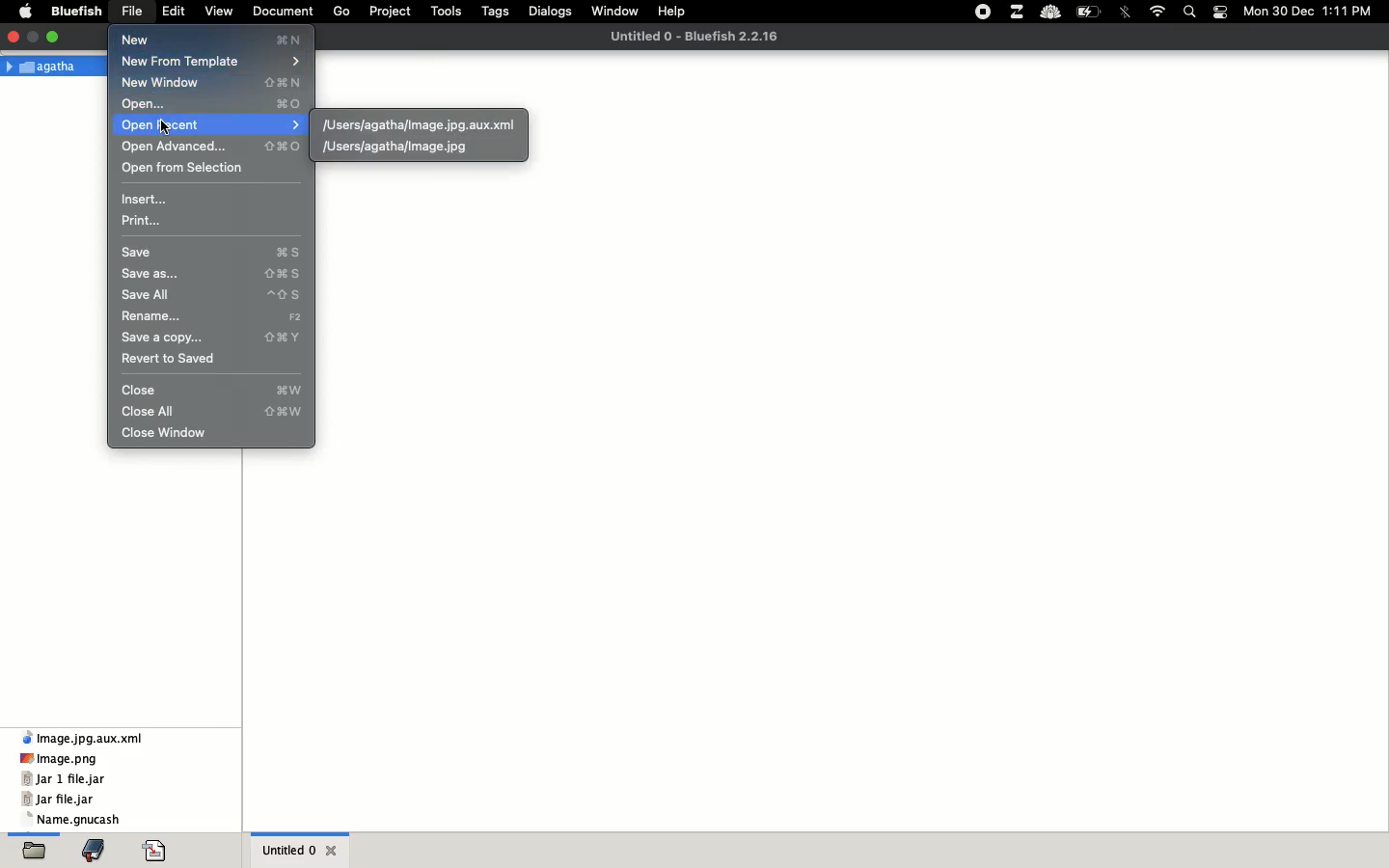  What do you see at coordinates (30, 10) in the screenshot?
I see `apple` at bounding box center [30, 10].